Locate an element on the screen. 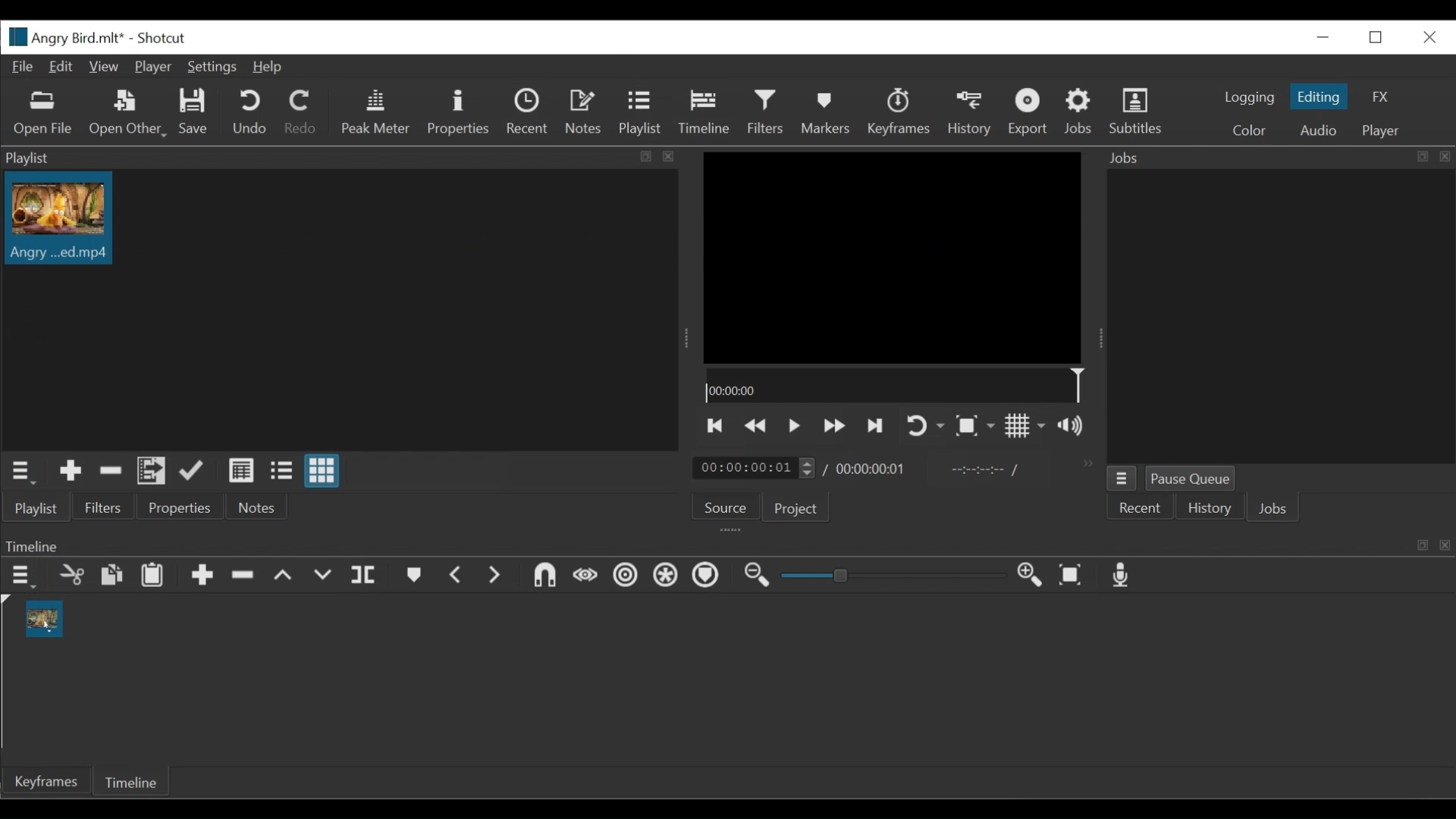 This screenshot has height=819, width=1456. Player is located at coordinates (152, 65).